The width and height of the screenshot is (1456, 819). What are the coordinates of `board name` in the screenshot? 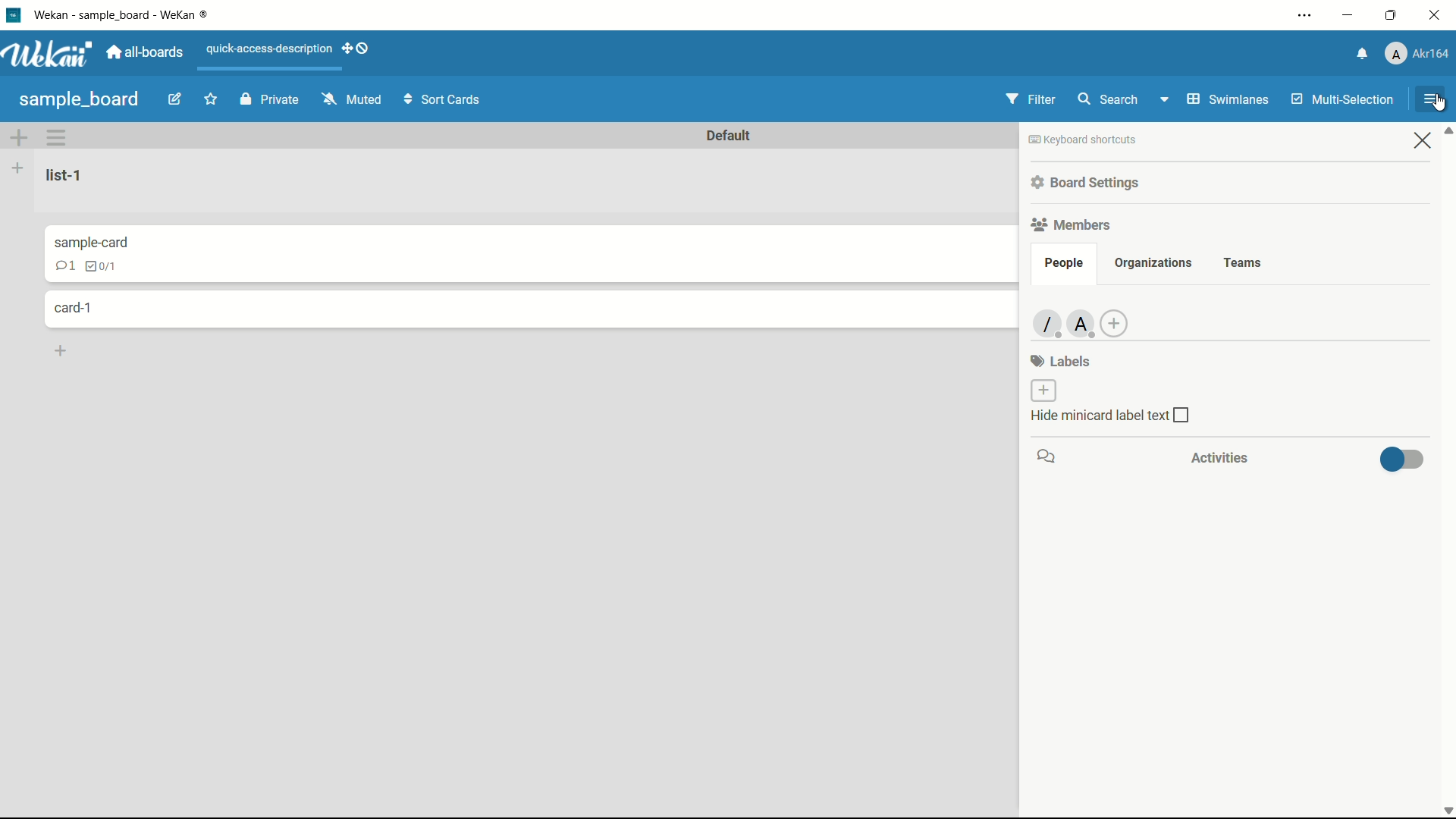 It's located at (80, 99).